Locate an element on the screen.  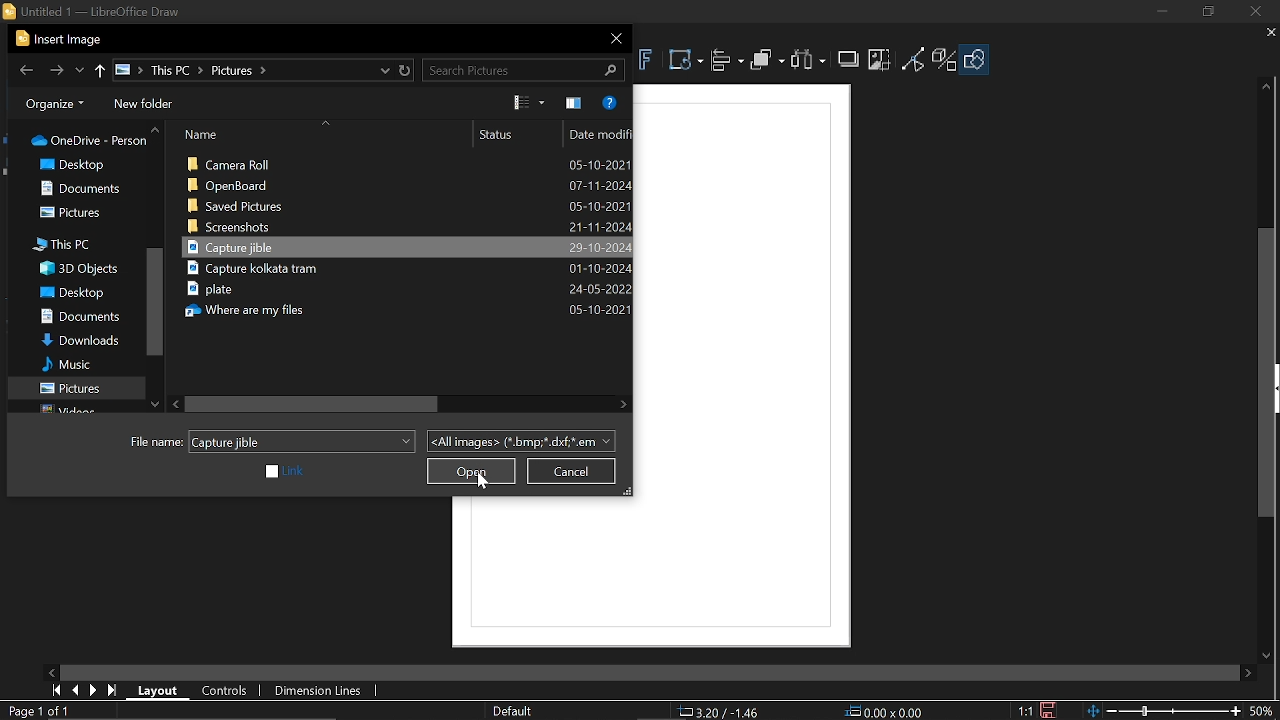
Restore down is located at coordinates (1205, 11).